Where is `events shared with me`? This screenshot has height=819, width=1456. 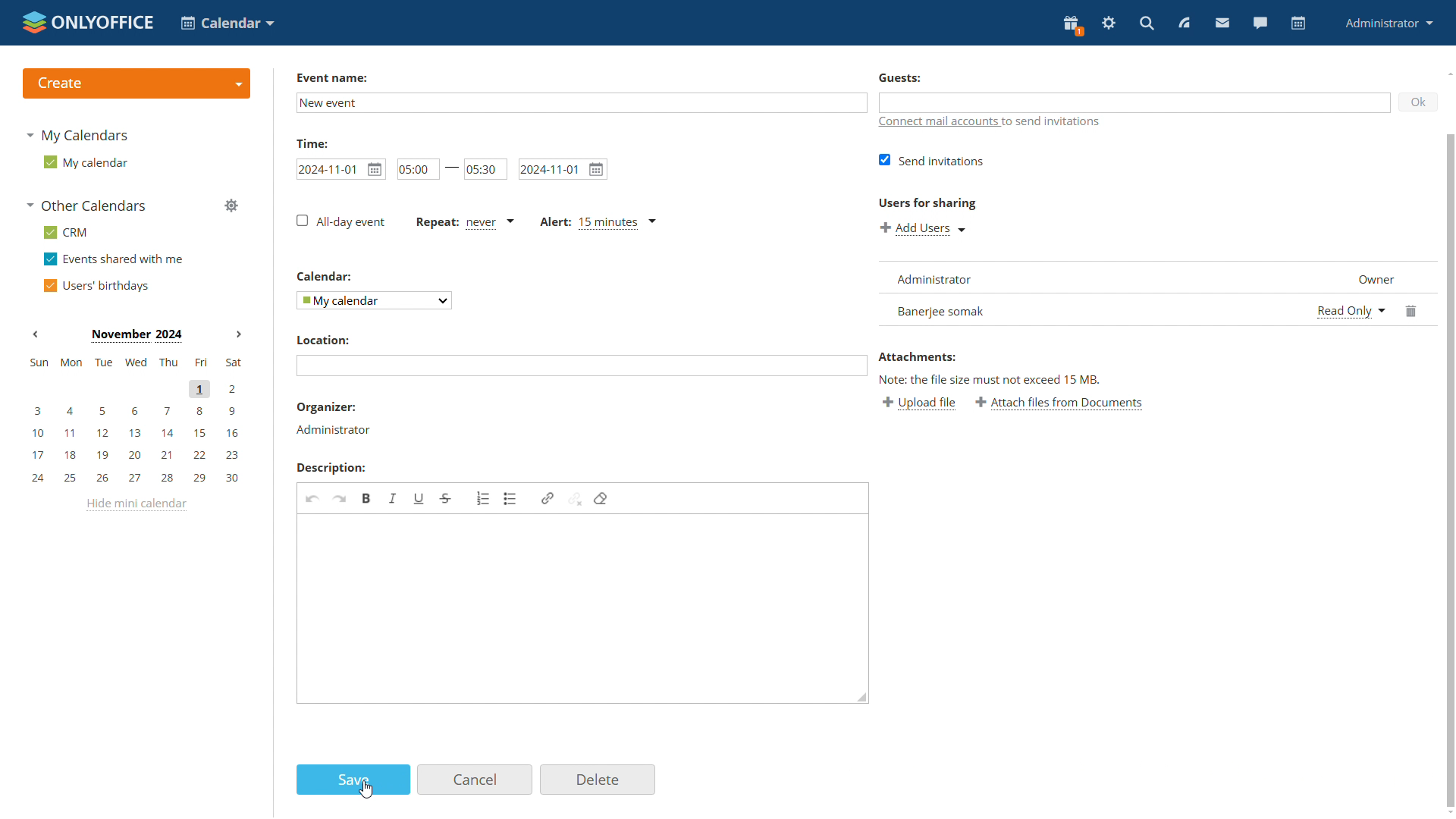 events shared with me is located at coordinates (114, 260).